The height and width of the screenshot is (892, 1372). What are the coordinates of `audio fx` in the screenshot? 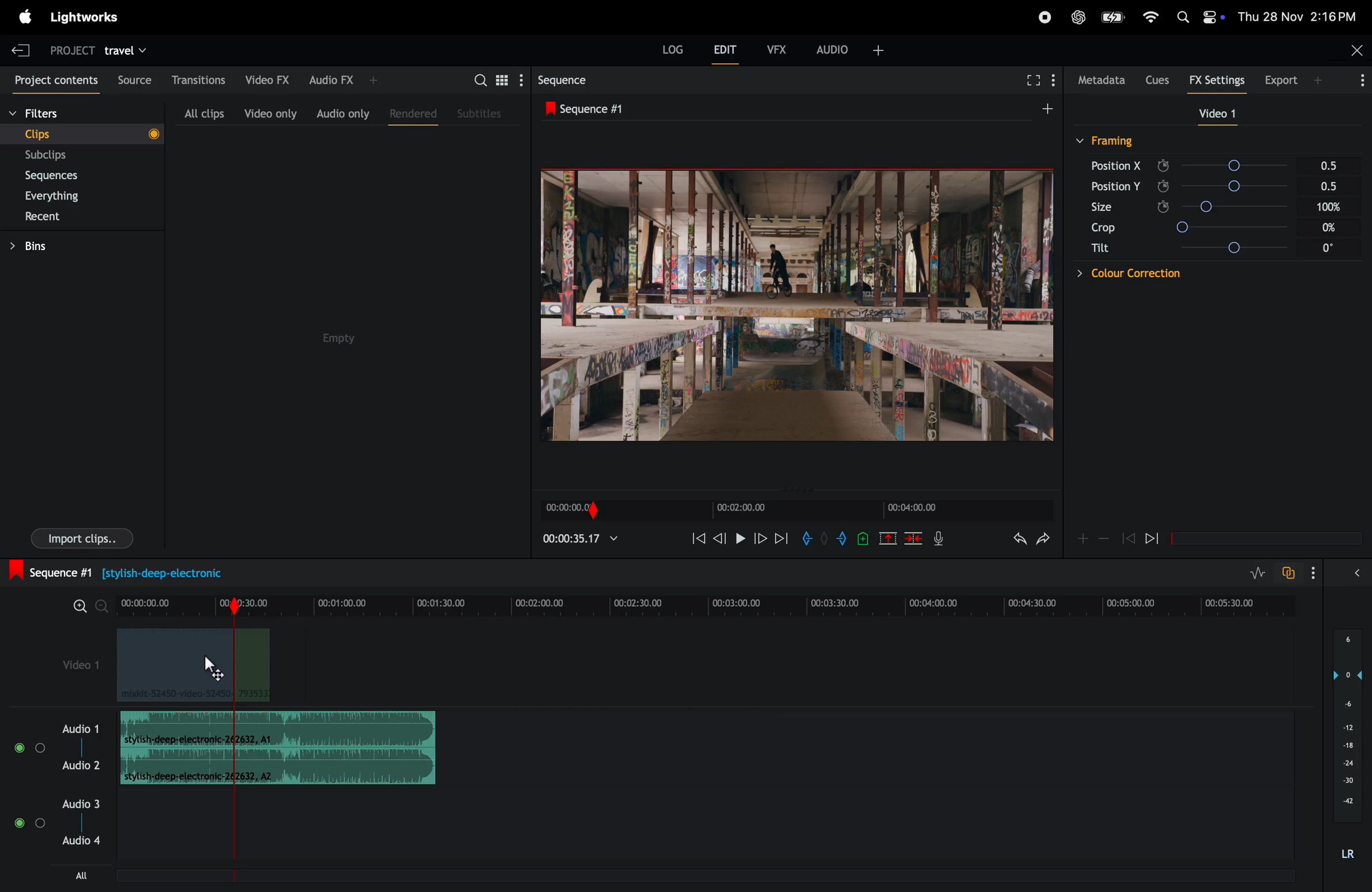 It's located at (342, 78).